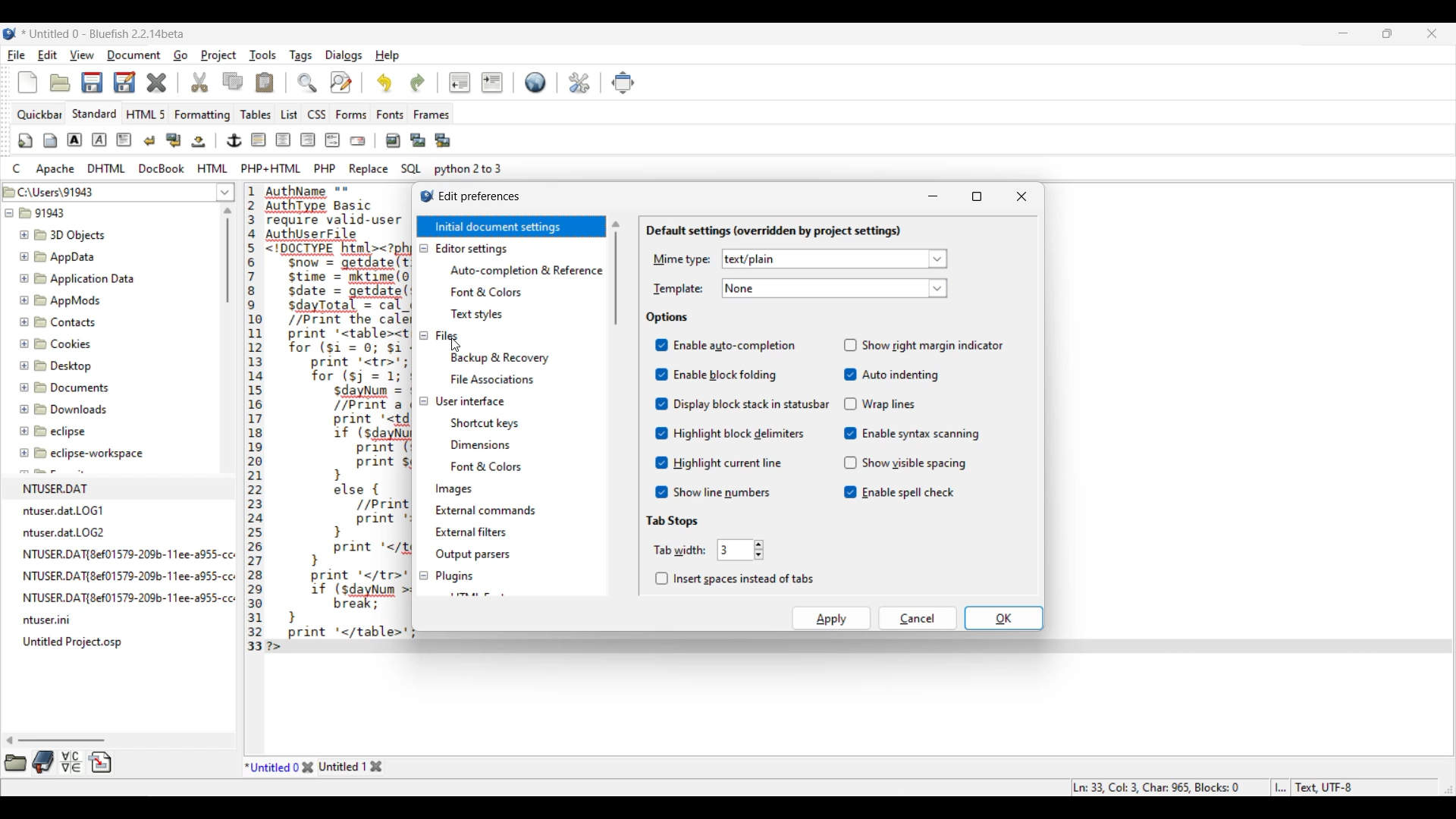  I want to click on Image and text edit tools, so click(237, 140).